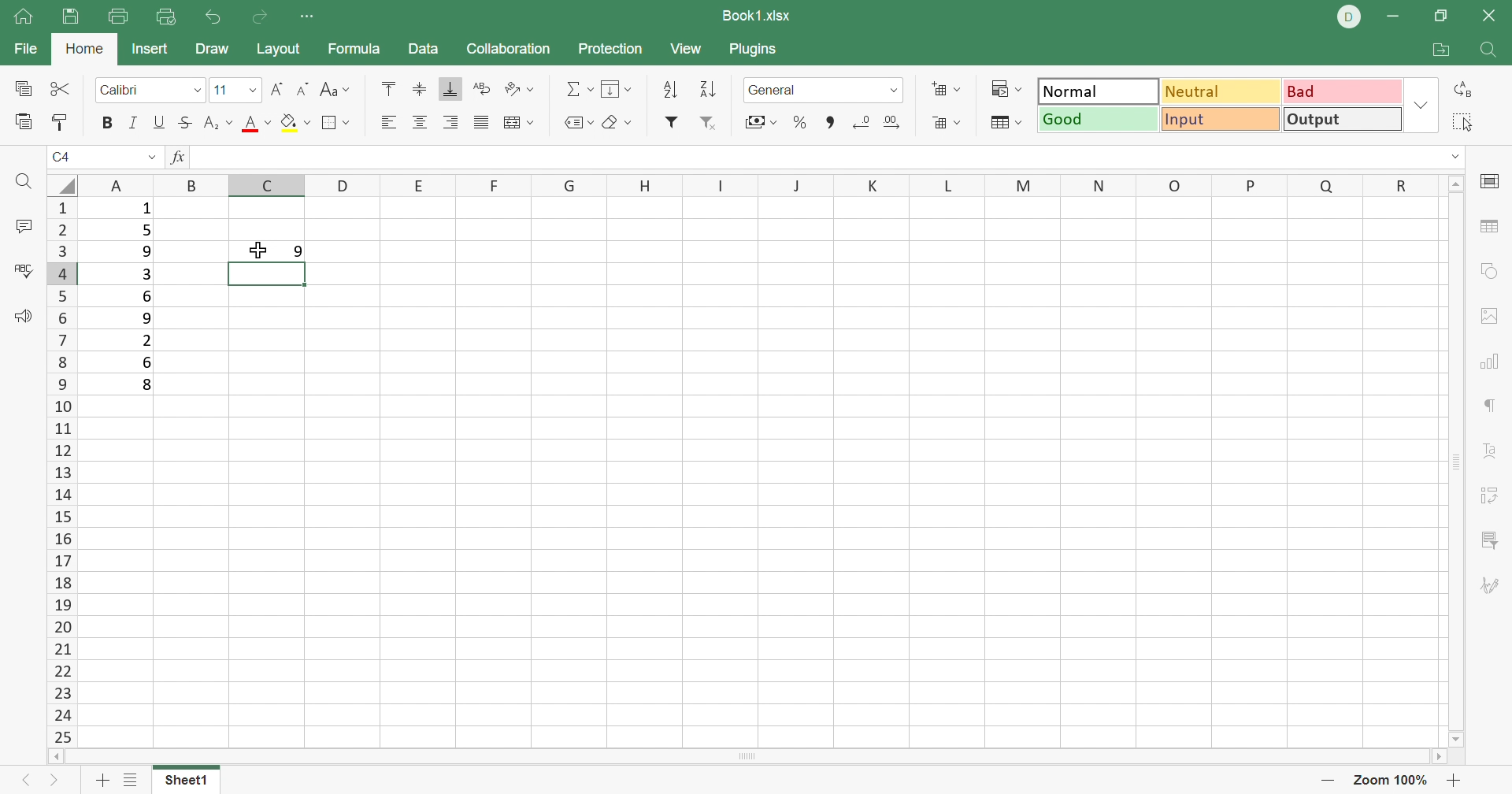 This screenshot has width=1512, height=794. I want to click on Paste, so click(23, 121).